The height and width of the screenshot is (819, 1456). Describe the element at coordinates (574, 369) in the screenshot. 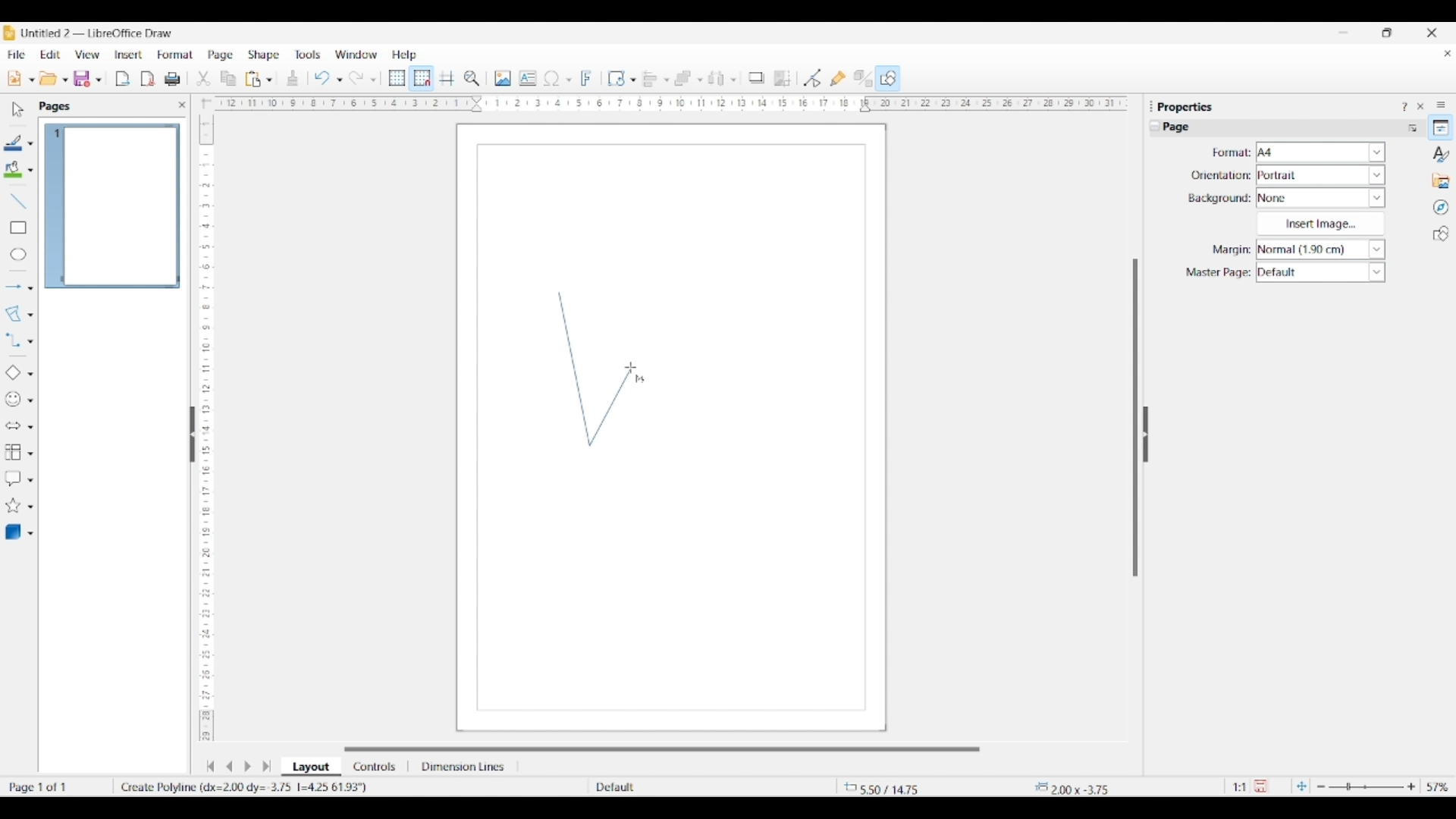

I see `Line 1` at that location.